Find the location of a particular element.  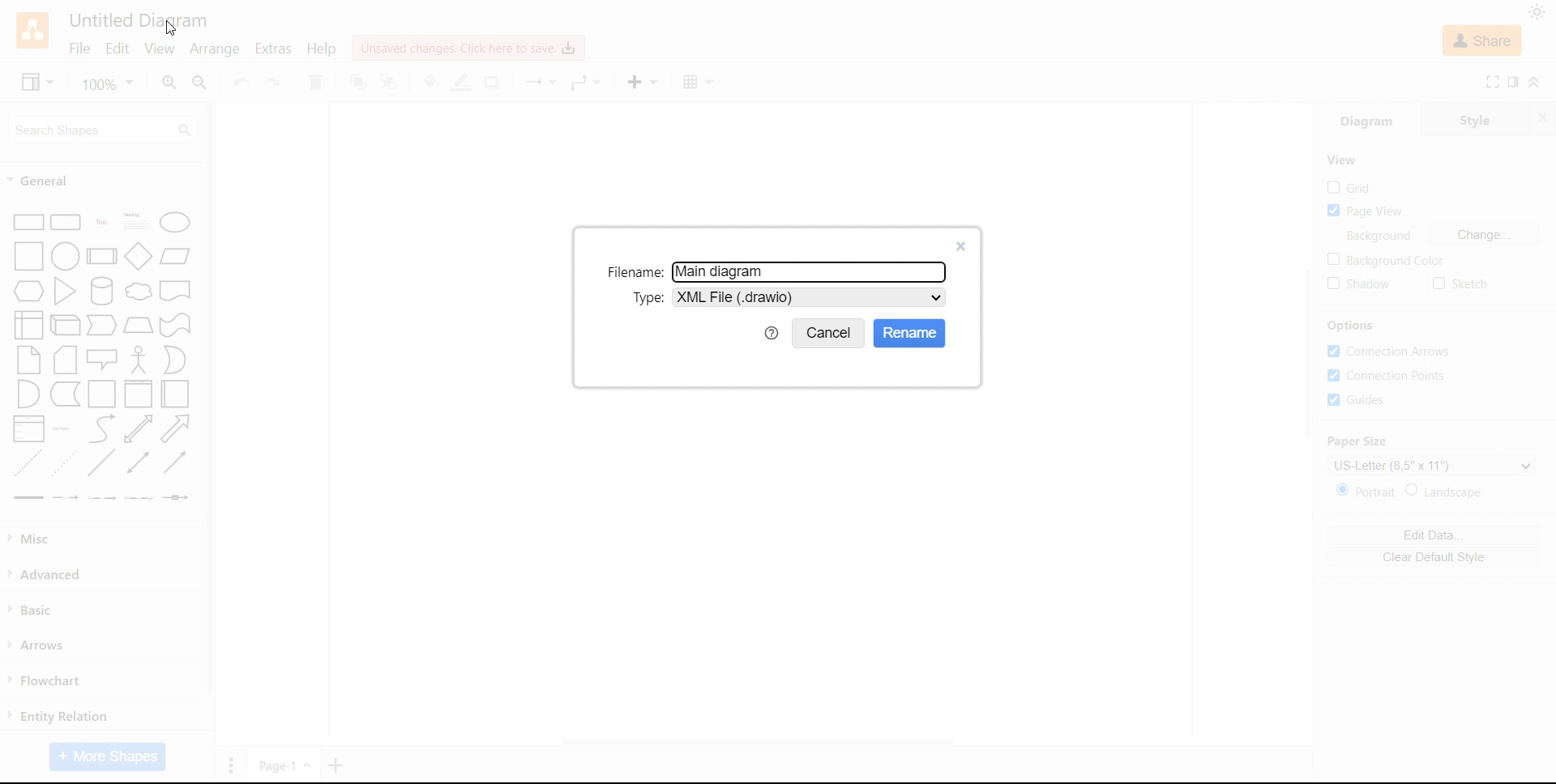

More shapes is located at coordinates (107, 757).